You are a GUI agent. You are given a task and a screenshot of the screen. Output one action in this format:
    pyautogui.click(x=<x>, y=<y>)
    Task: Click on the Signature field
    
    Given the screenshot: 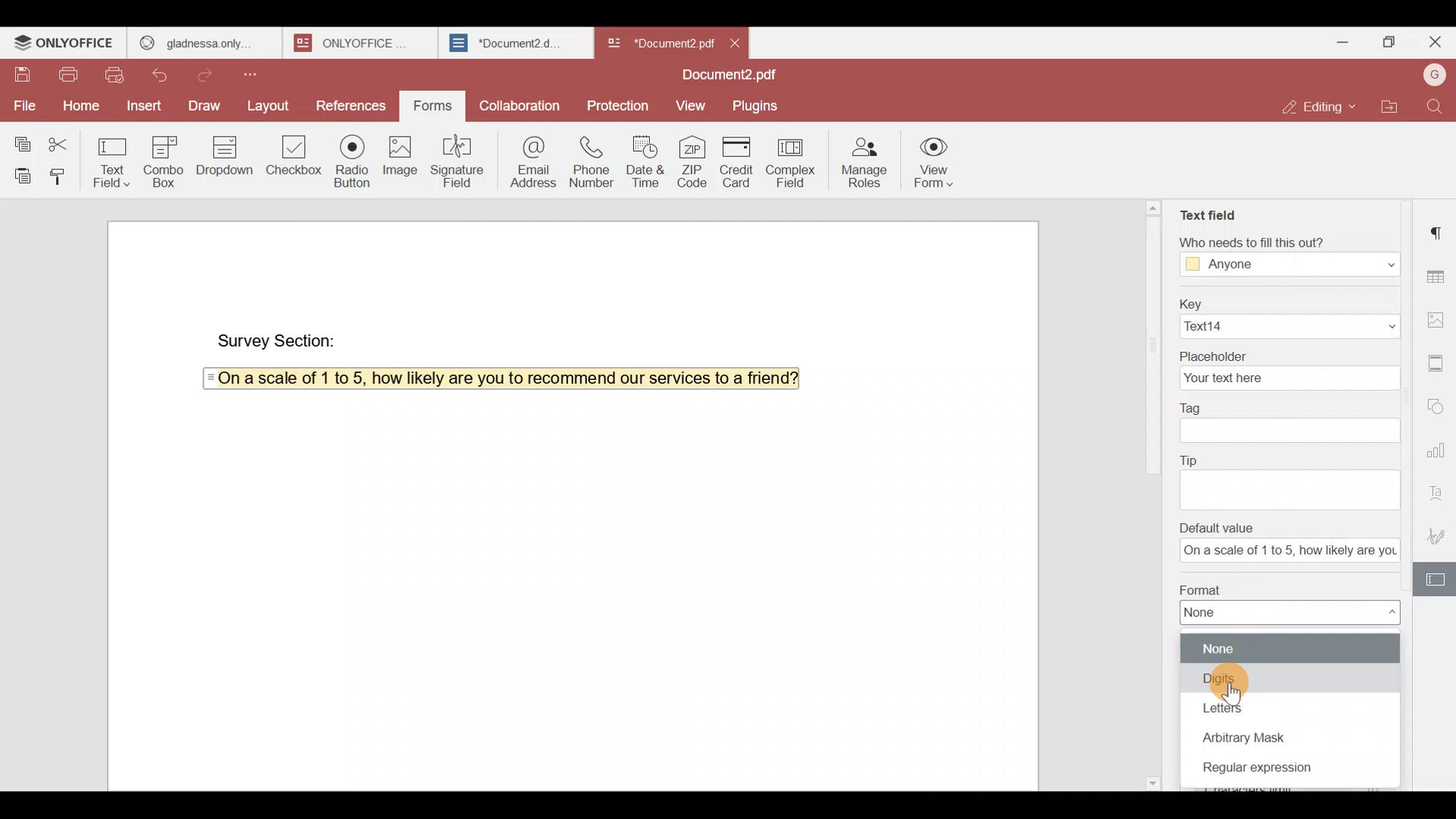 What is the action you would take?
    pyautogui.click(x=461, y=160)
    